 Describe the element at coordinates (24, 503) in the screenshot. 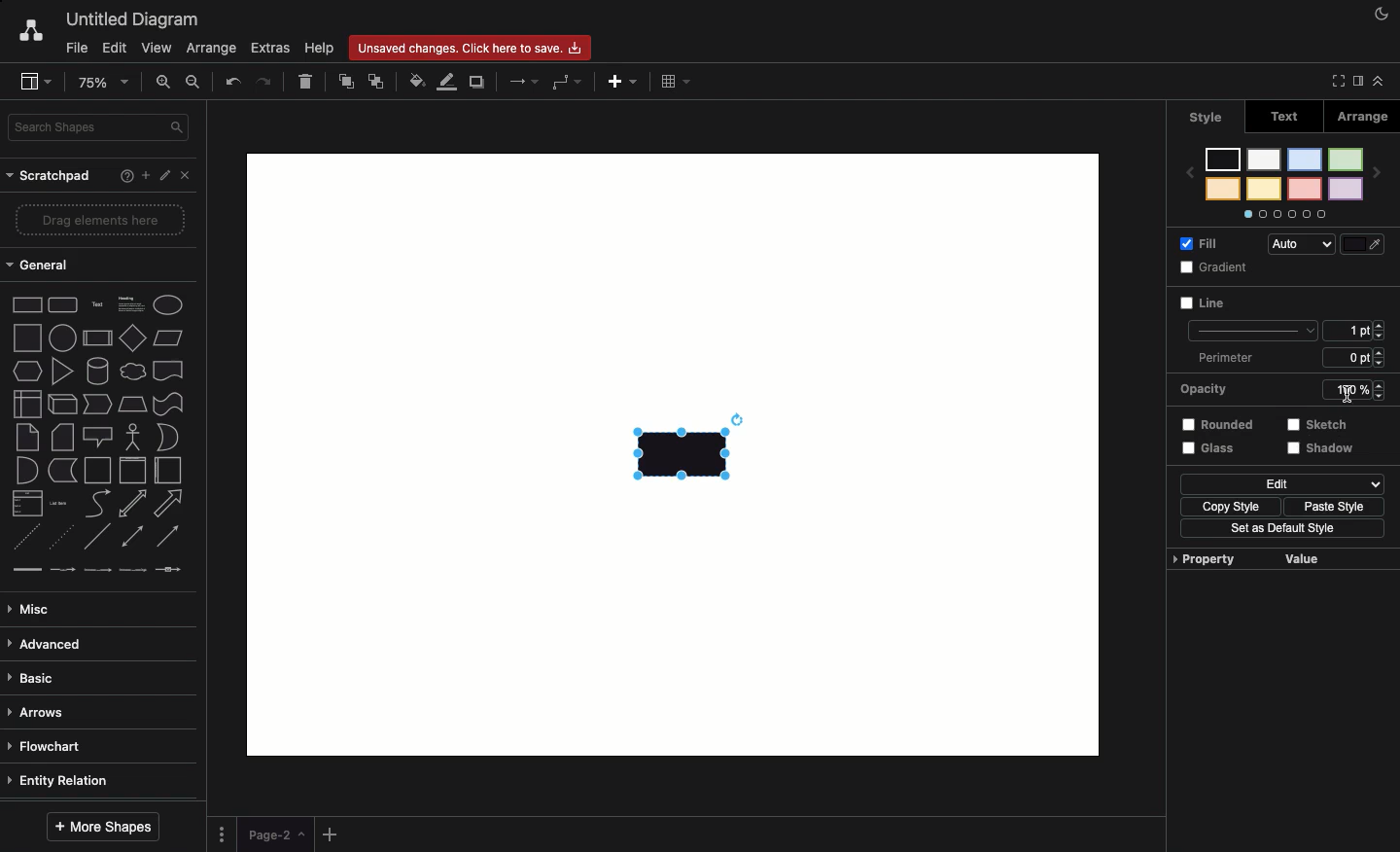

I see `list` at that location.